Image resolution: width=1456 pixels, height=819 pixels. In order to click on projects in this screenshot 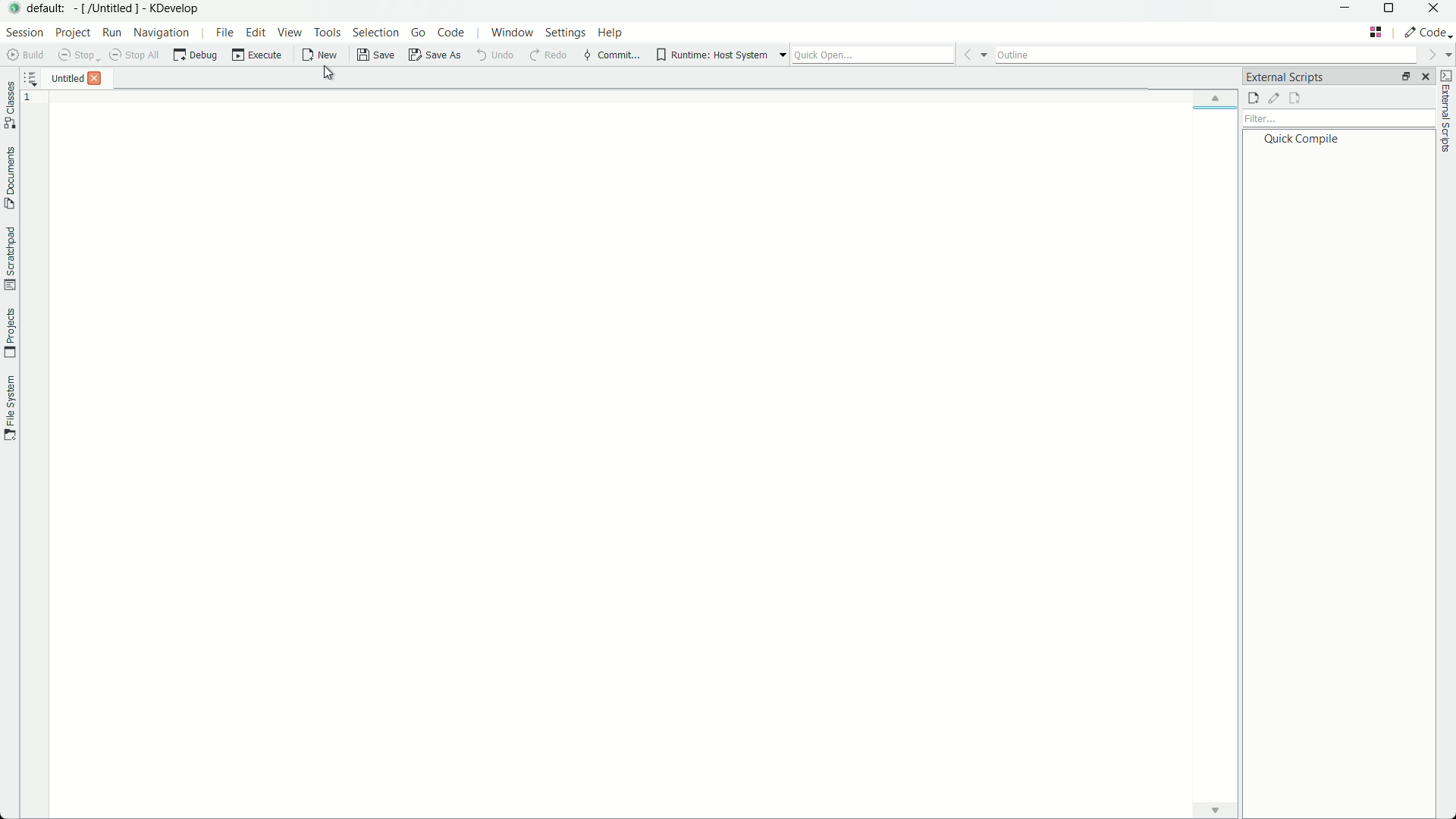, I will do `click(9, 331)`.